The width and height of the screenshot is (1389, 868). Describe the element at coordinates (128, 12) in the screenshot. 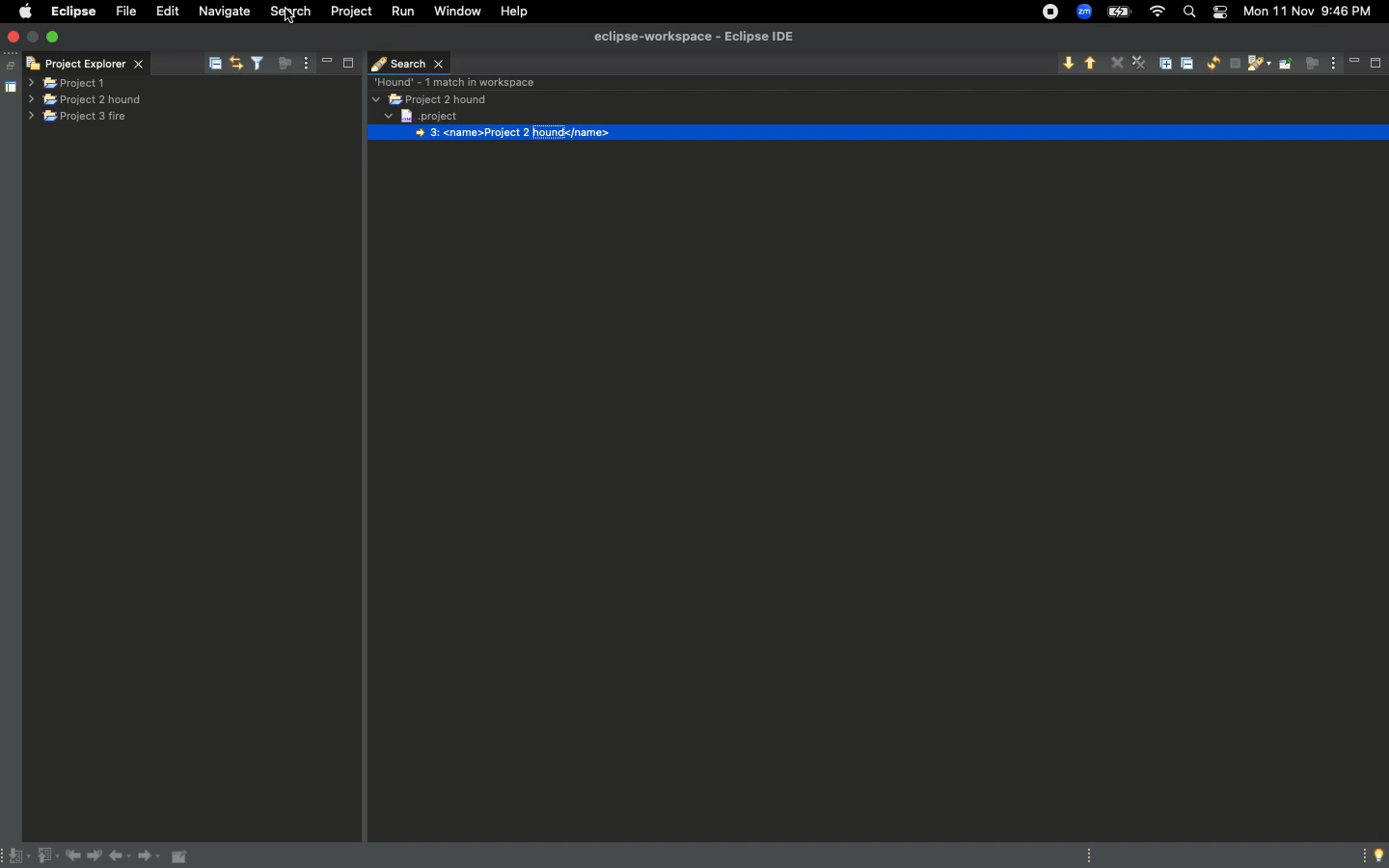

I see `File` at that location.